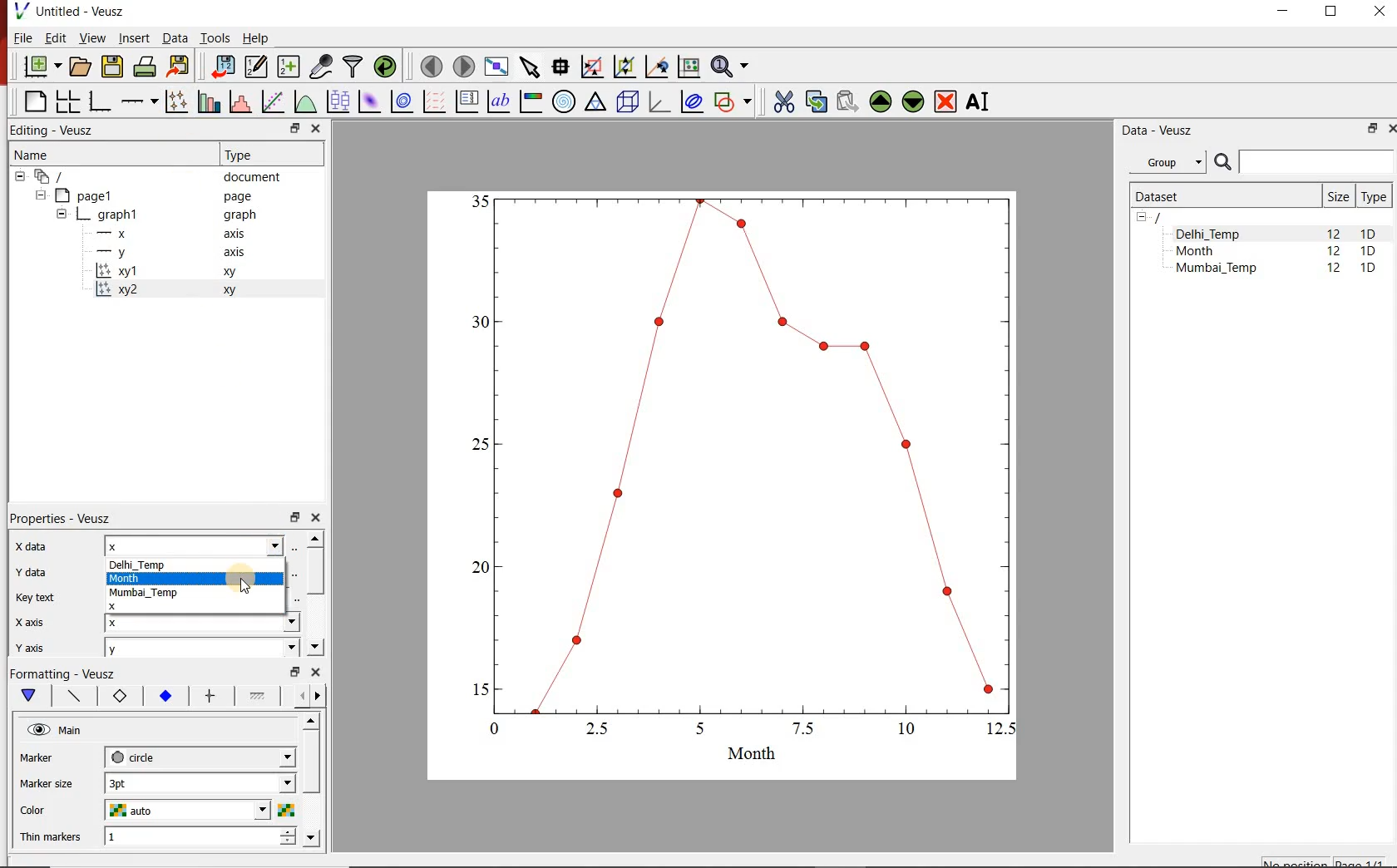 Image resolution: width=1397 pixels, height=868 pixels. What do you see at coordinates (692, 101) in the screenshot?
I see `plot covariance ellipses` at bounding box center [692, 101].